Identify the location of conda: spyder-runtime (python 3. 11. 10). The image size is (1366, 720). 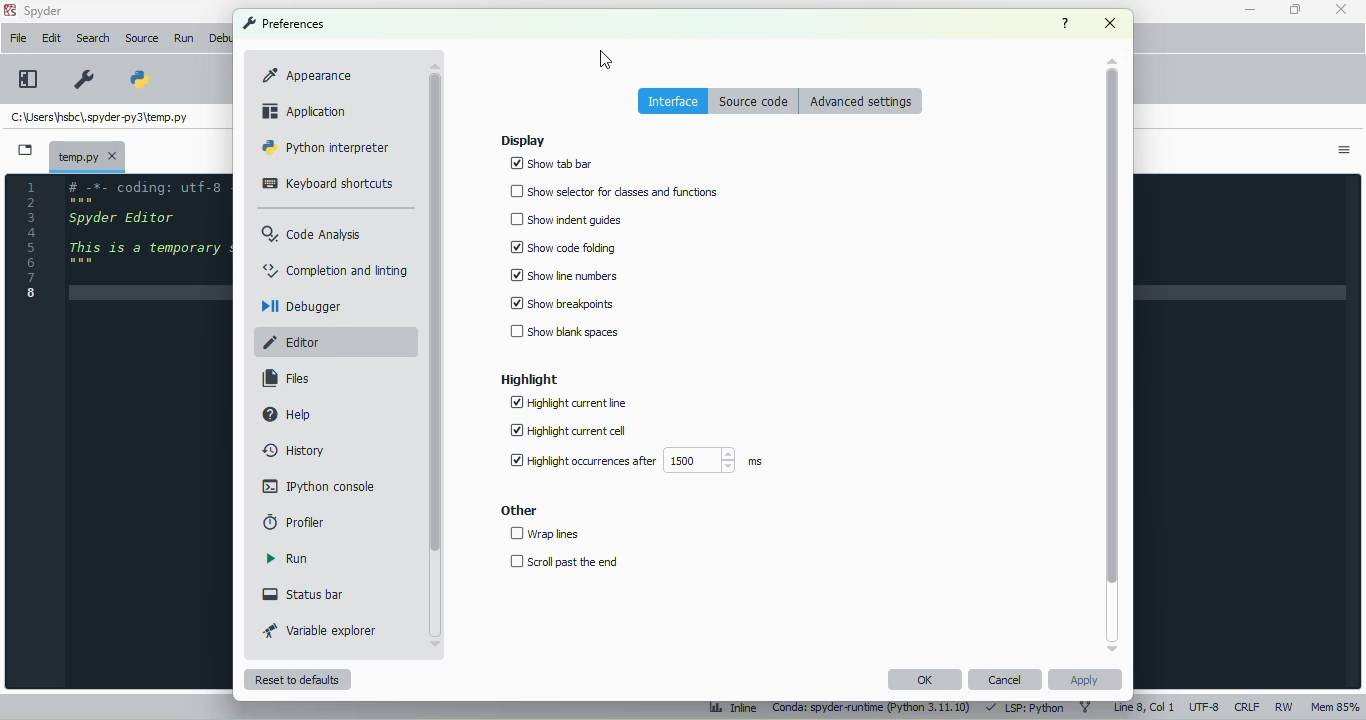
(873, 706).